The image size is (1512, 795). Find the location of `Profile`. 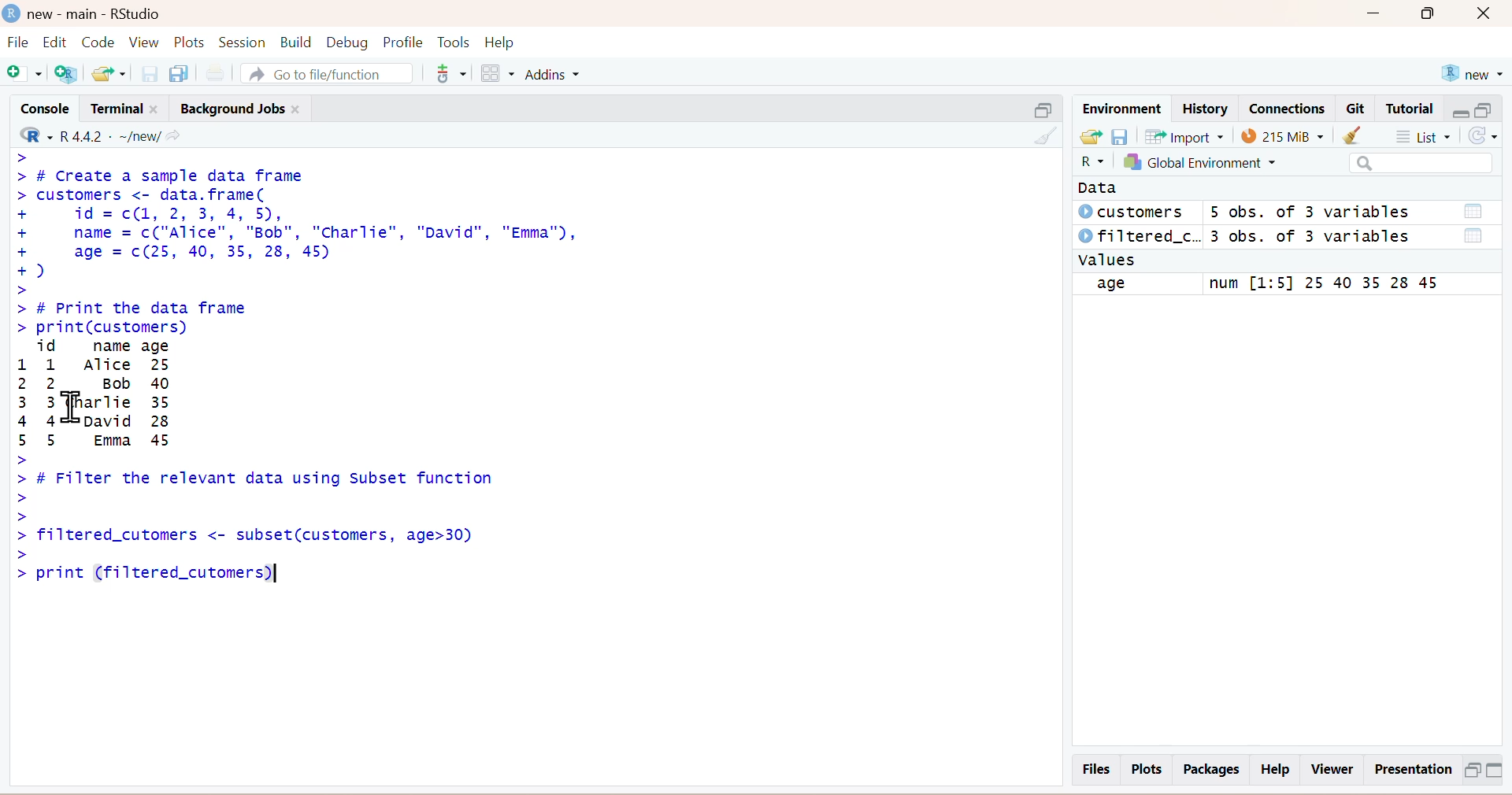

Profile is located at coordinates (401, 42).